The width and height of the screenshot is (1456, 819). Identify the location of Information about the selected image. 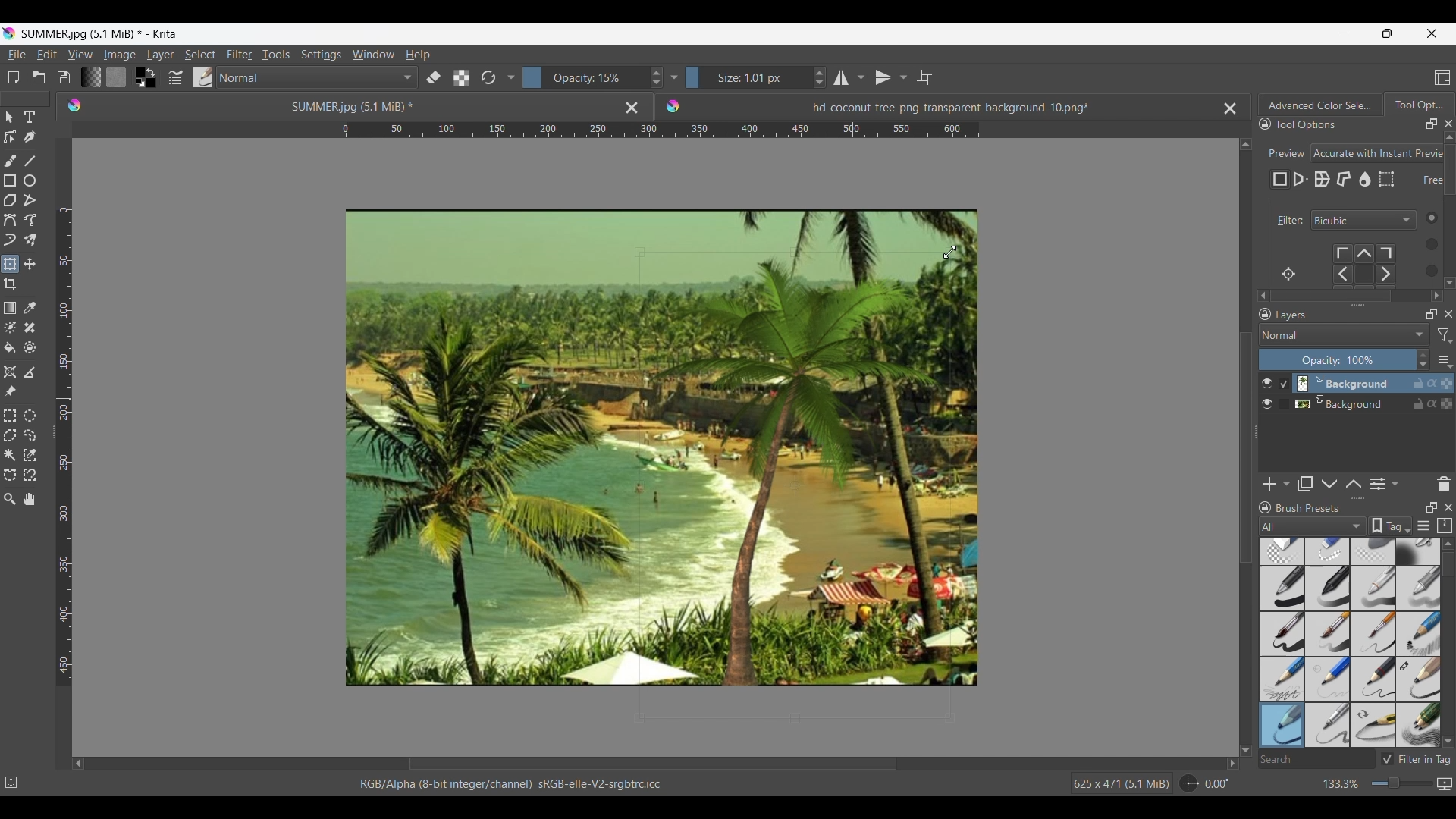
(1121, 783).